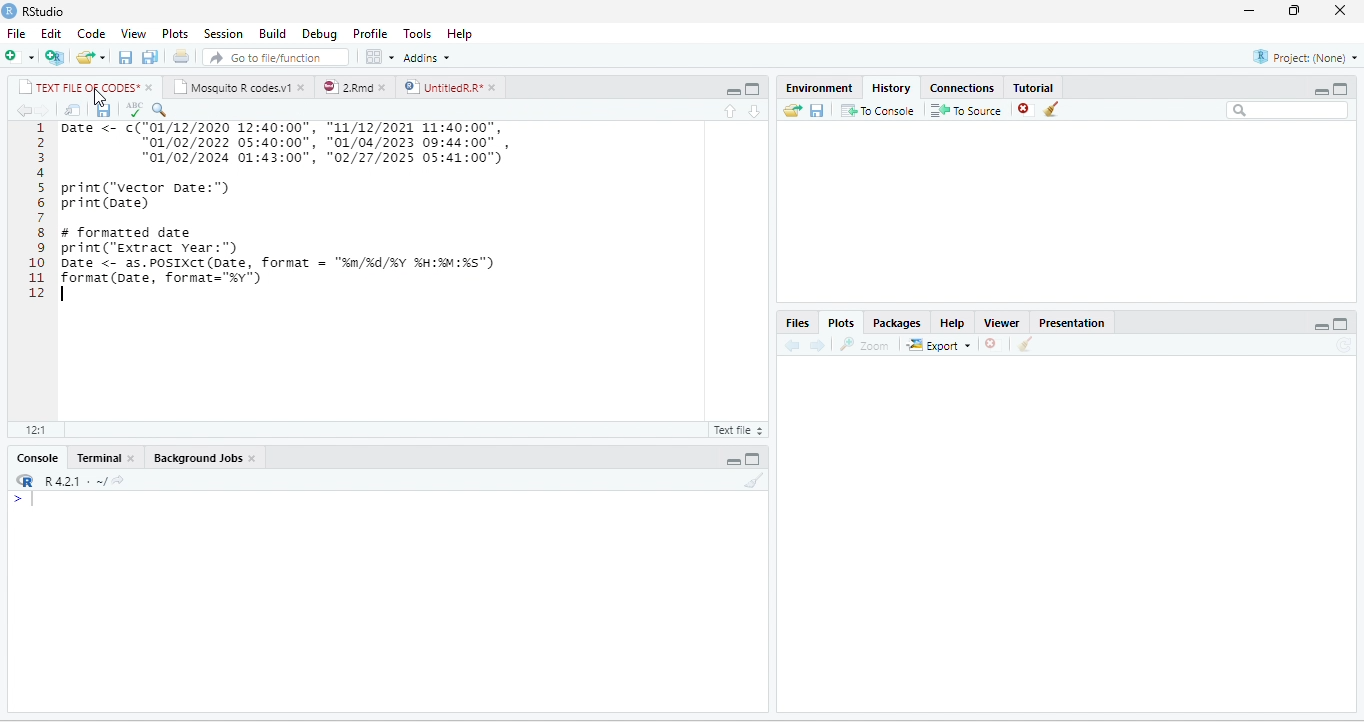 This screenshot has width=1364, height=722. What do you see at coordinates (92, 34) in the screenshot?
I see `Code` at bounding box center [92, 34].